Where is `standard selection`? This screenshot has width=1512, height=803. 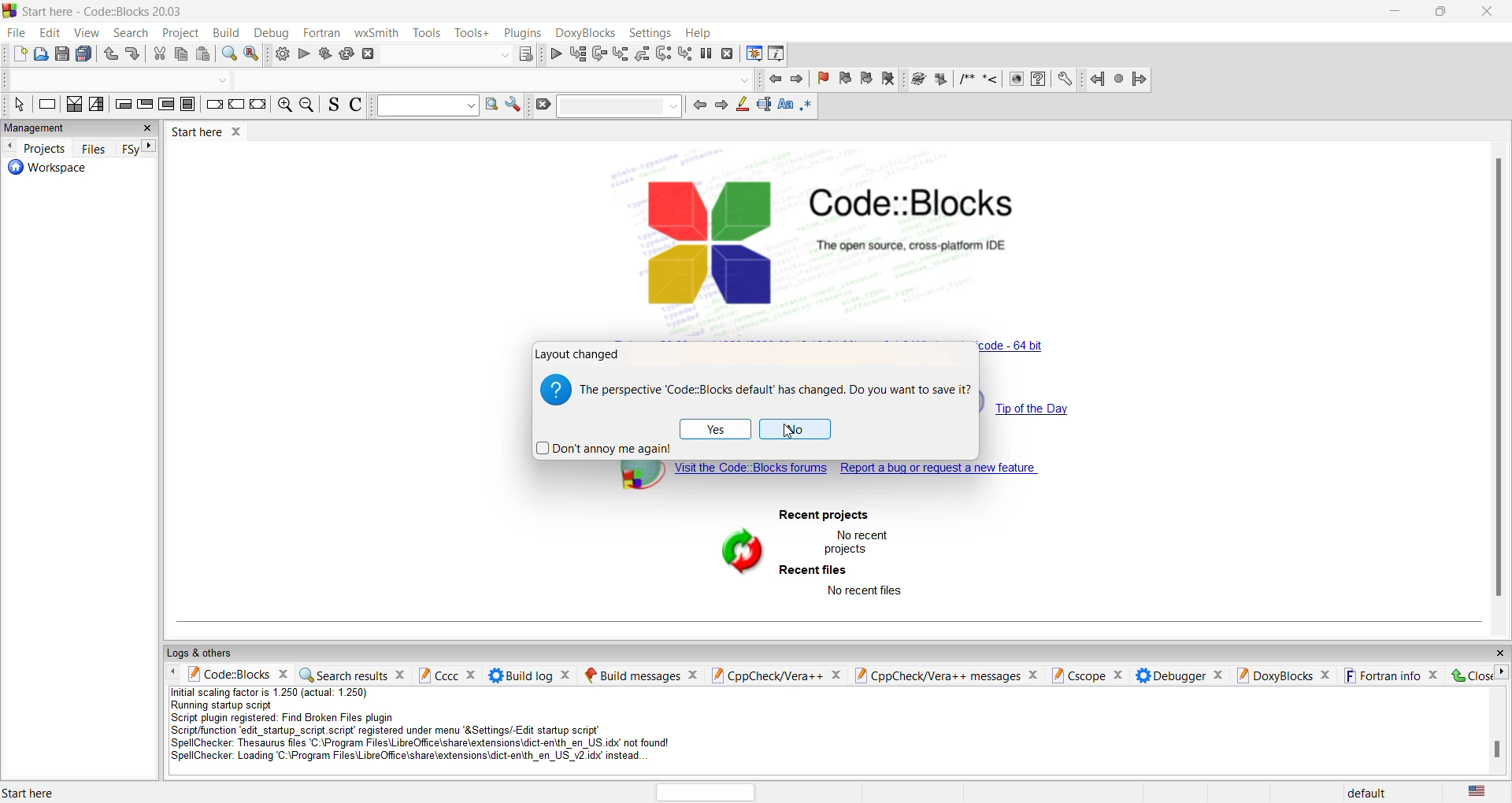 standard selection is located at coordinates (762, 107).